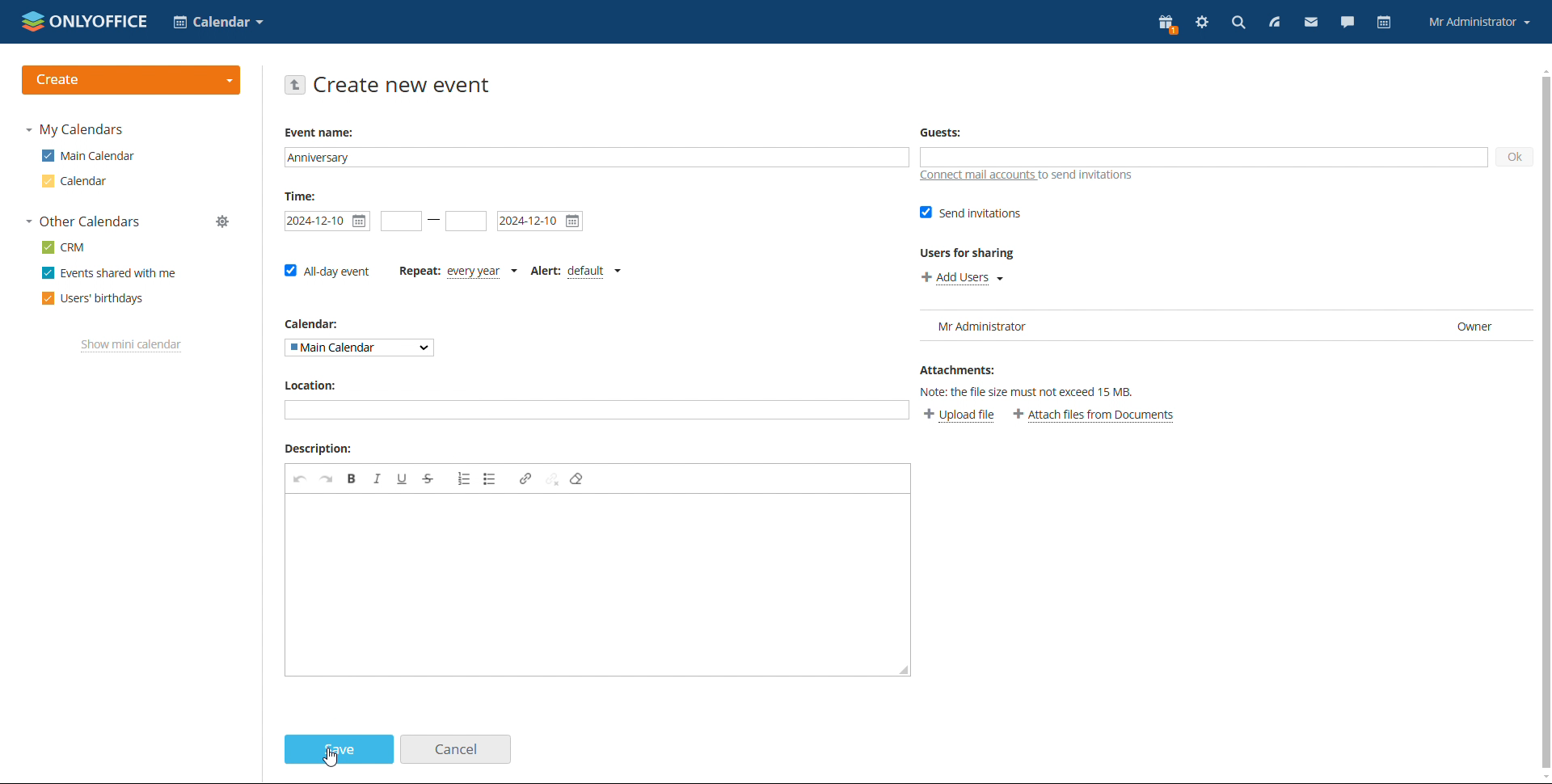 Image resolution: width=1552 pixels, height=784 pixels. I want to click on calendar, so click(74, 183).